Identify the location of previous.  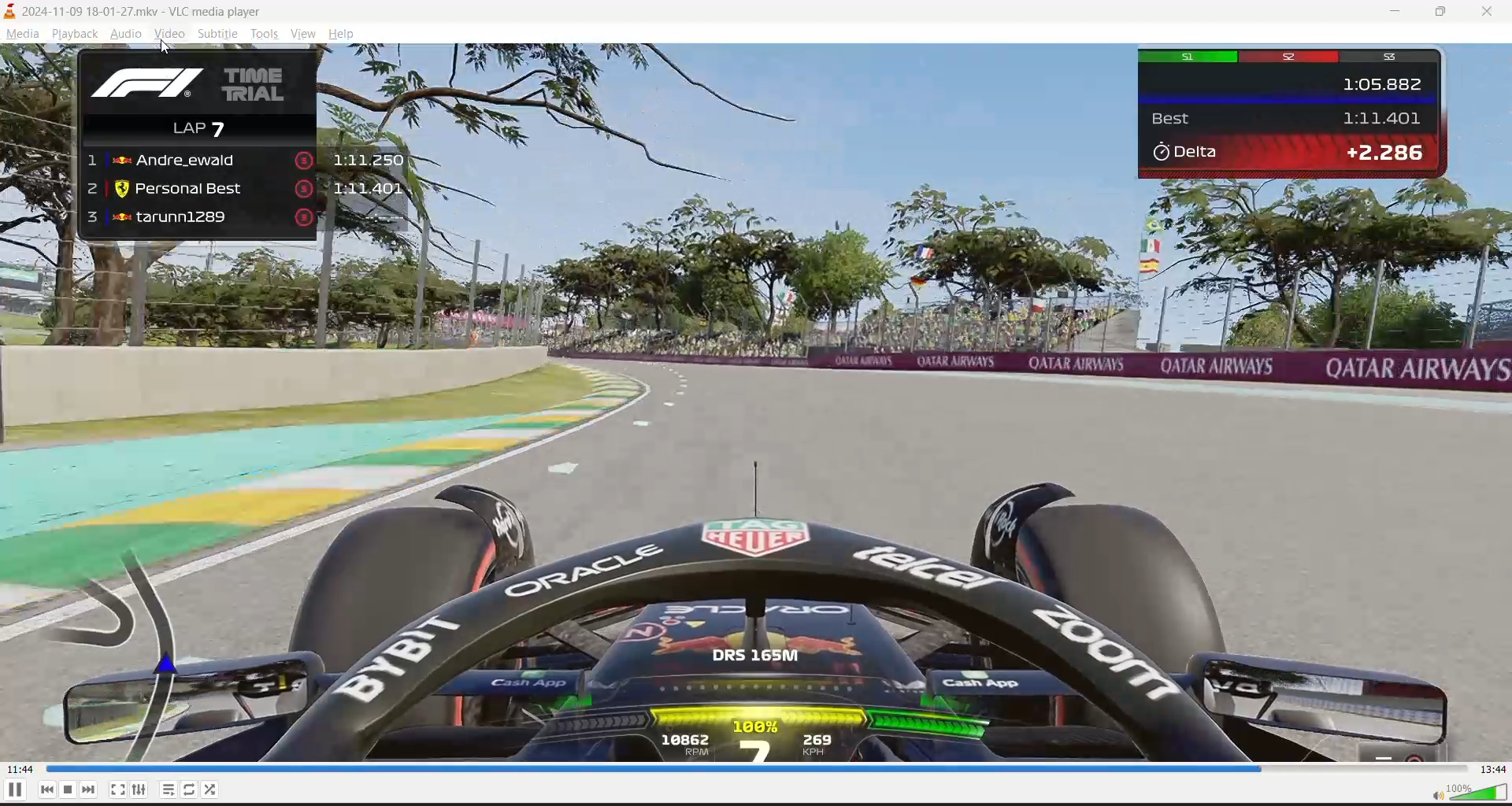
(50, 789).